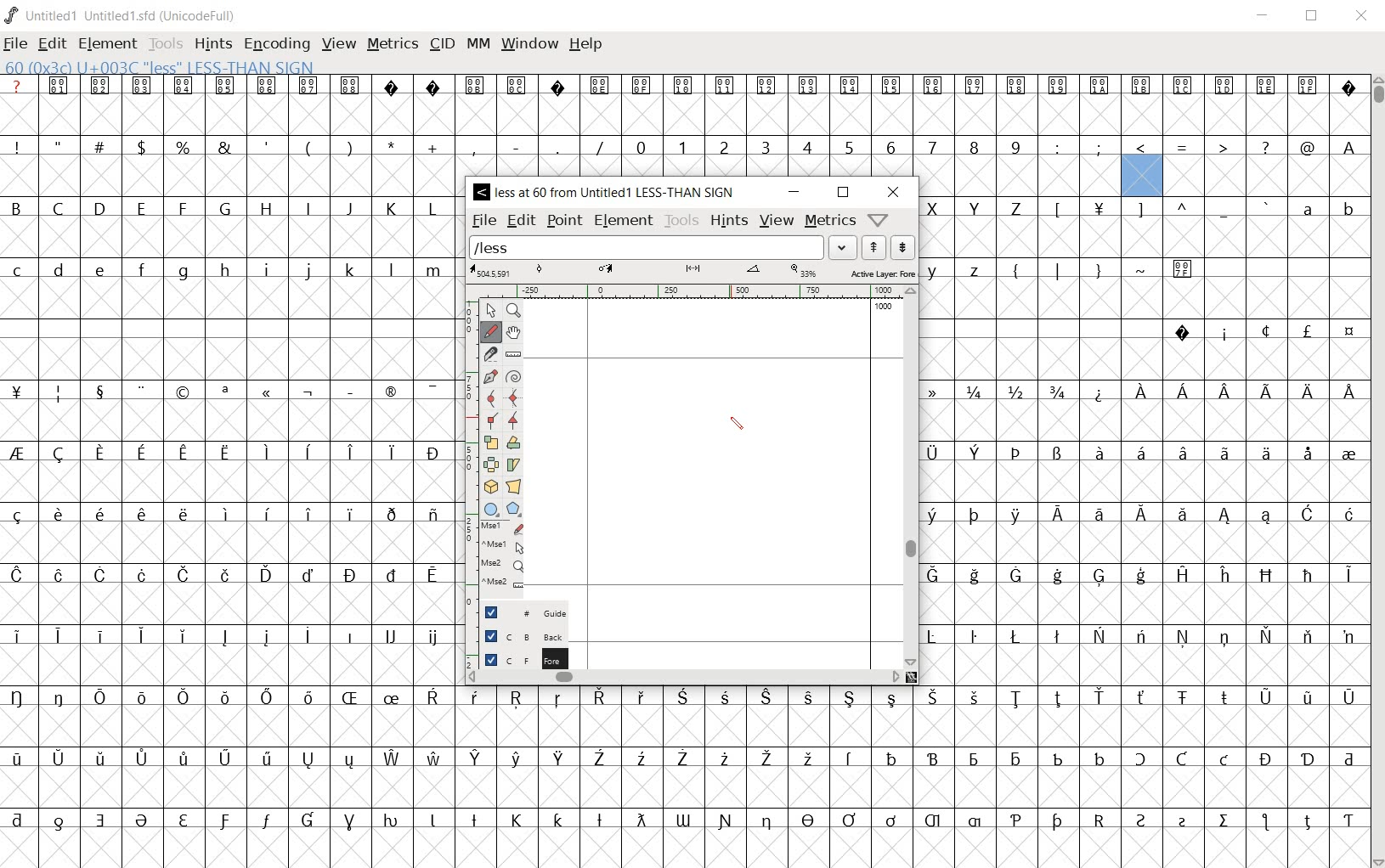  I want to click on pen tool/cursor location, so click(739, 426).